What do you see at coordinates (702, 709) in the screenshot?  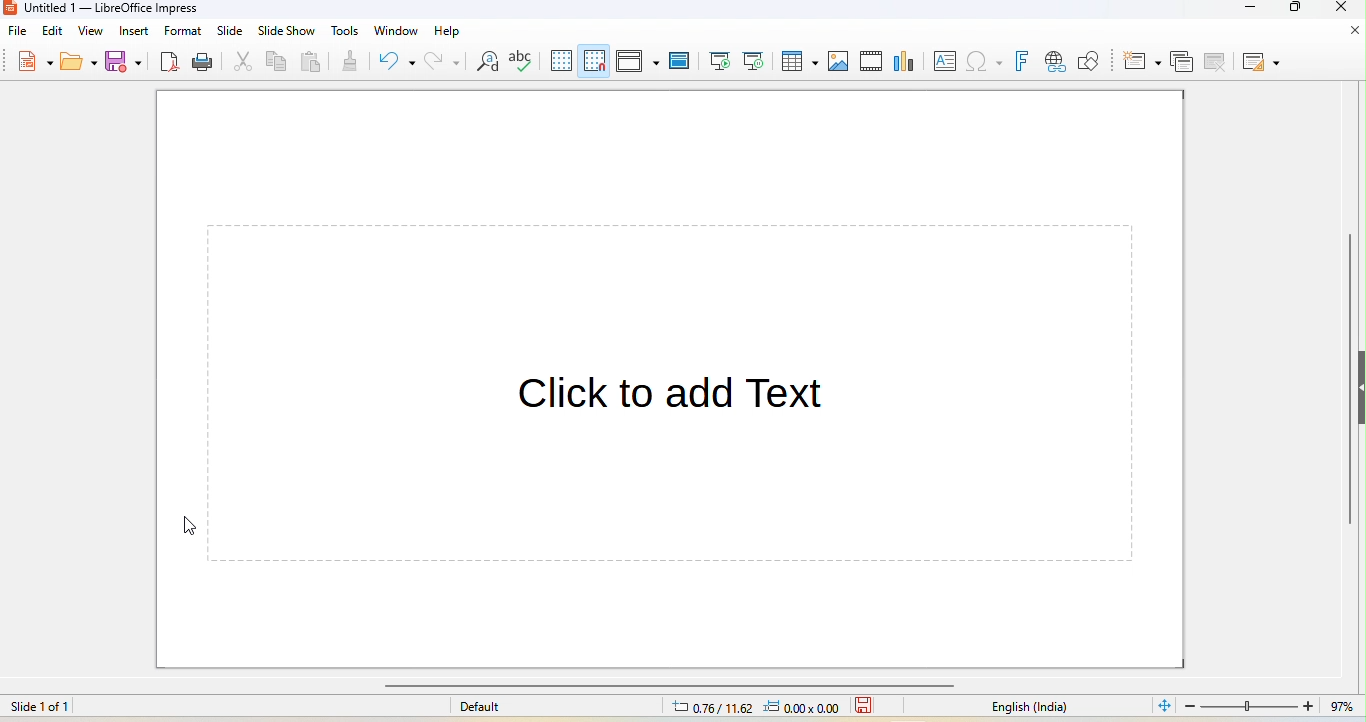 I see `cursor position (0.76/11.62)` at bounding box center [702, 709].